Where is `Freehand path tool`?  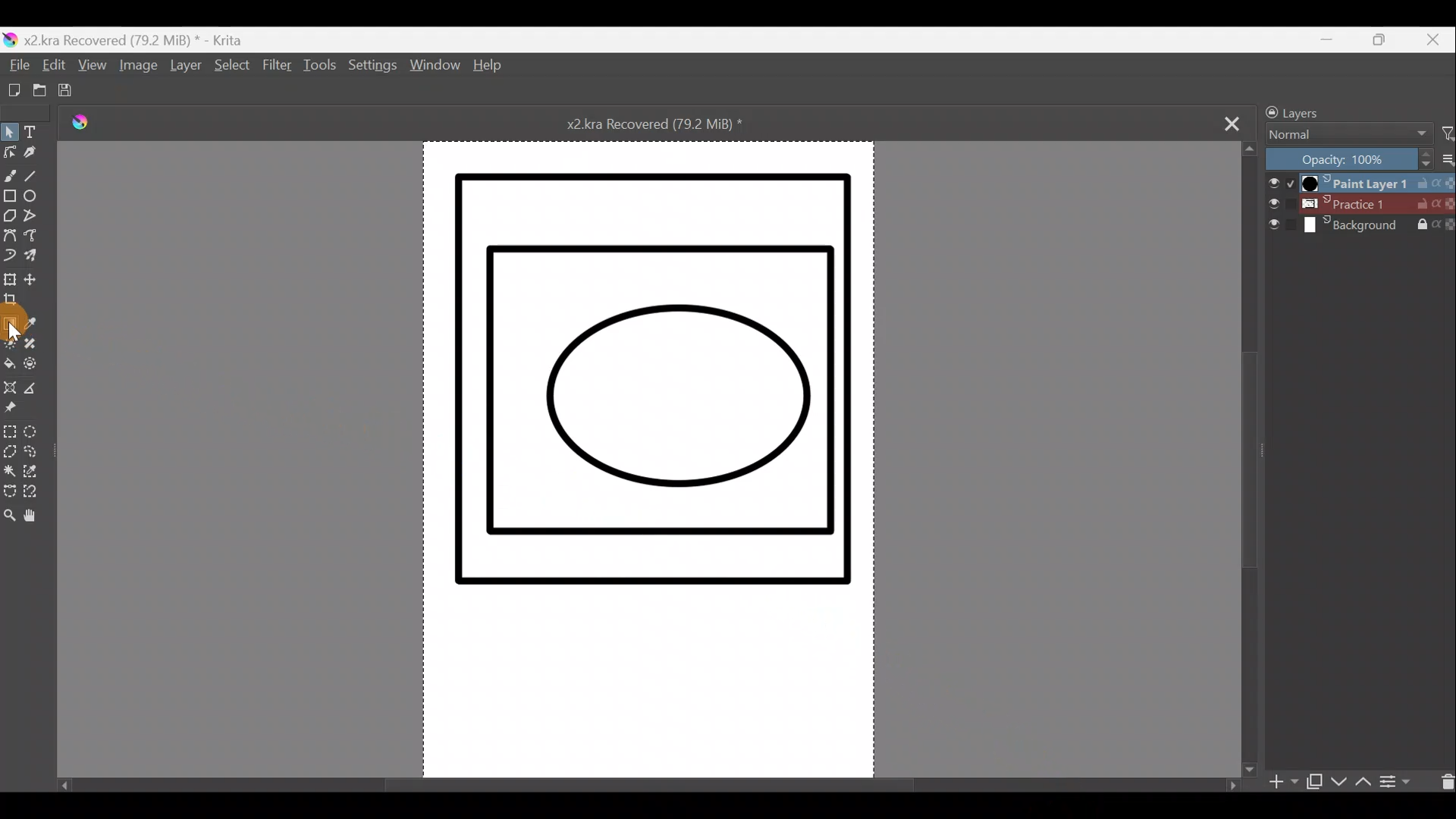 Freehand path tool is located at coordinates (36, 240).